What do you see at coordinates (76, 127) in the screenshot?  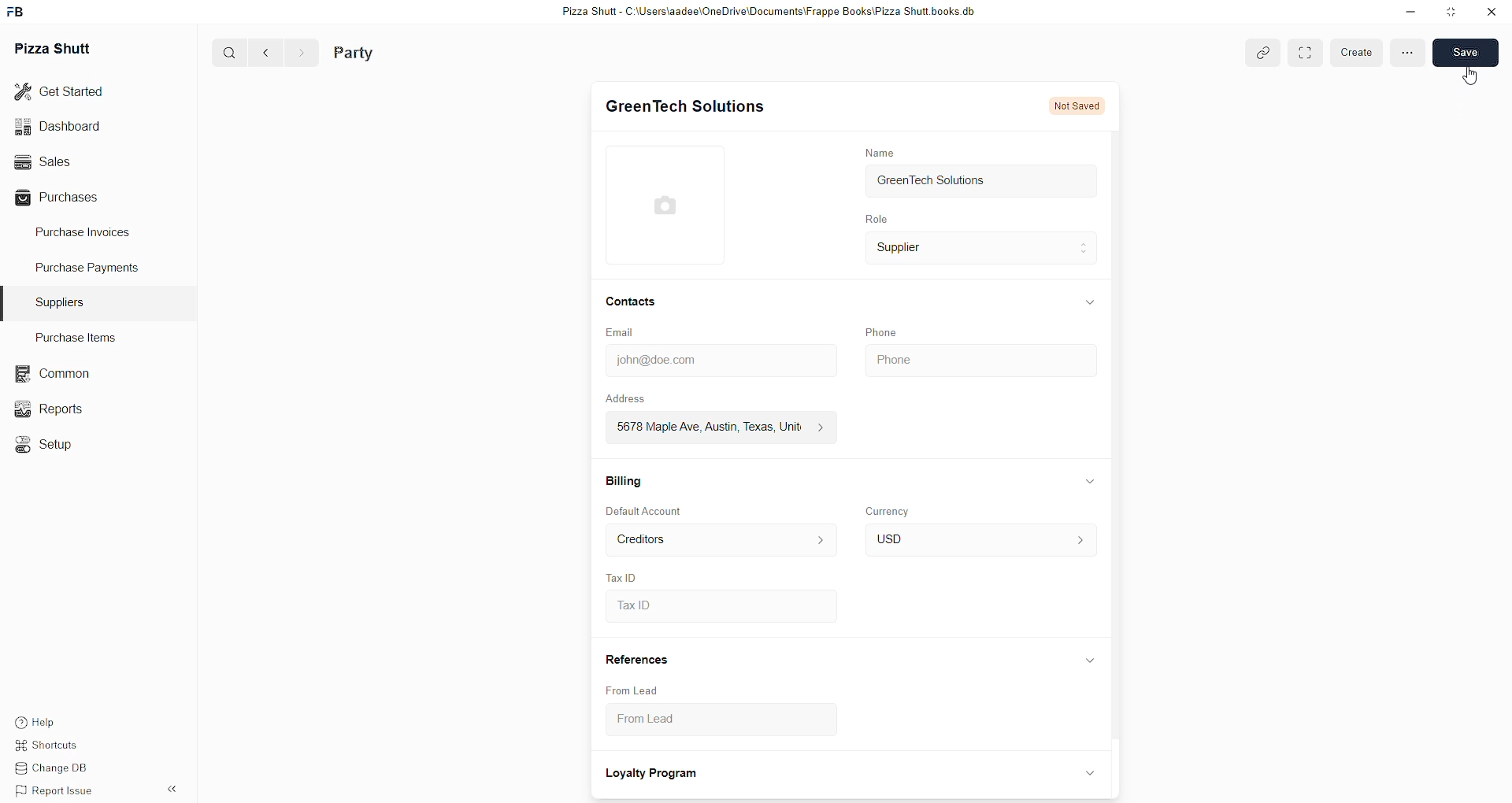 I see `Dashboard` at bounding box center [76, 127].